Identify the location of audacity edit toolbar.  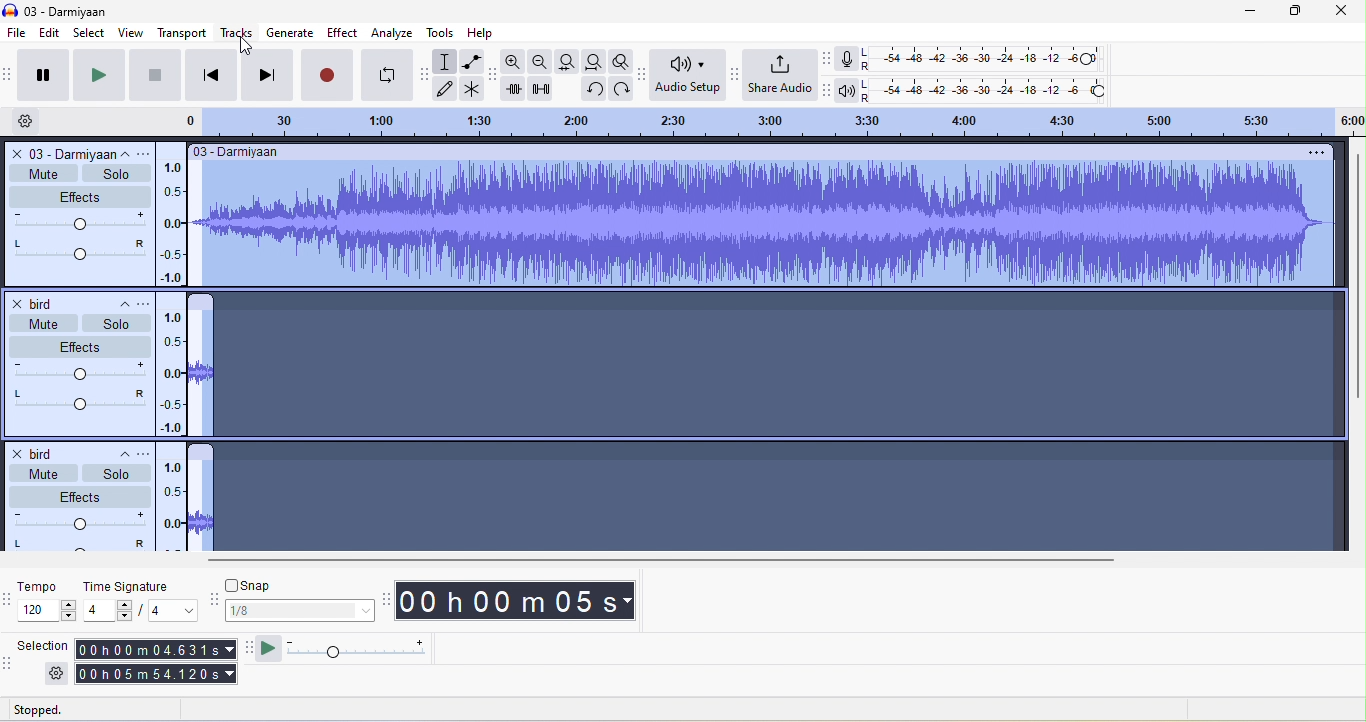
(495, 72).